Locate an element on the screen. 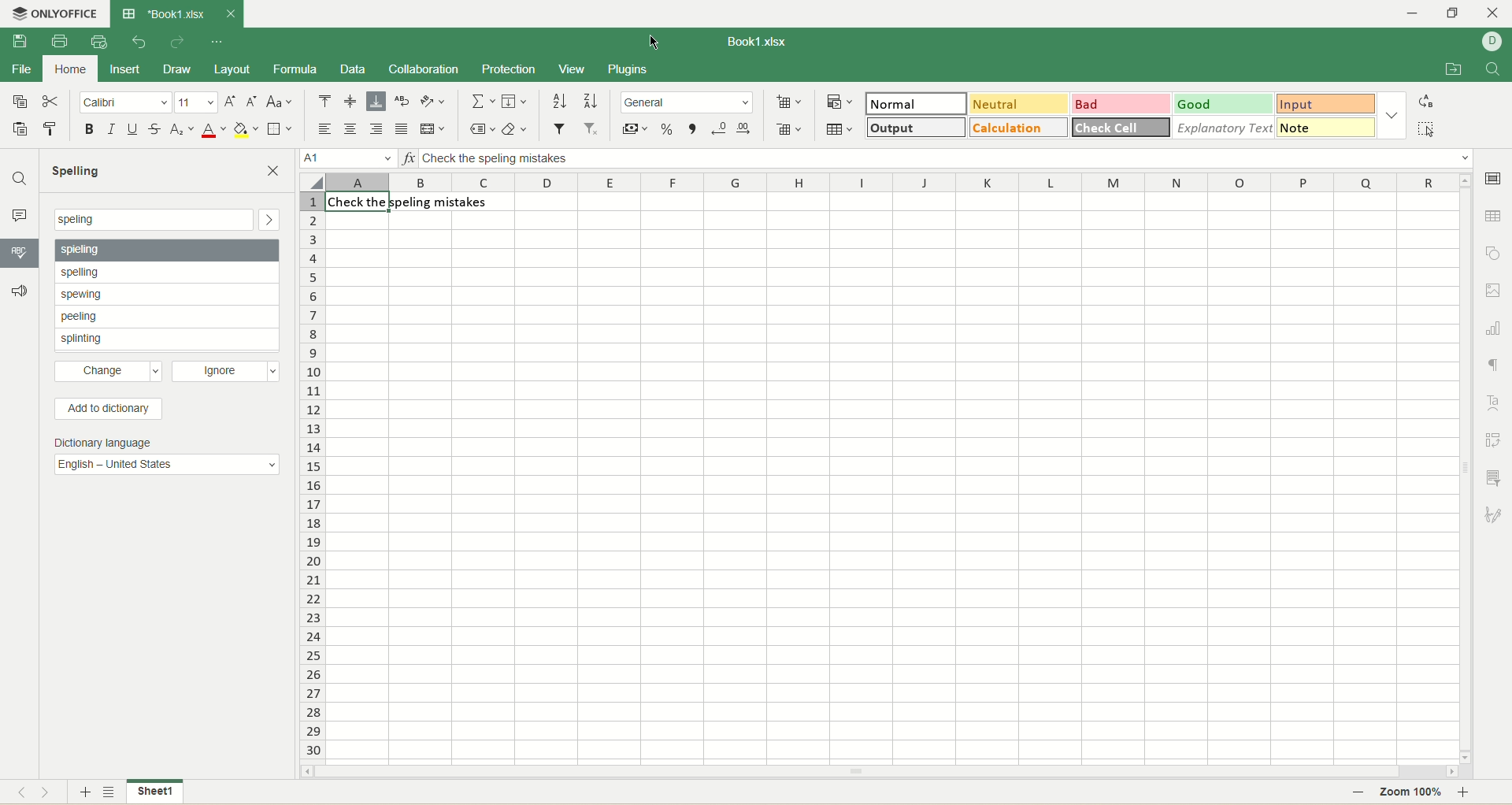 This screenshot has width=1512, height=805. copy is located at coordinates (20, 102).